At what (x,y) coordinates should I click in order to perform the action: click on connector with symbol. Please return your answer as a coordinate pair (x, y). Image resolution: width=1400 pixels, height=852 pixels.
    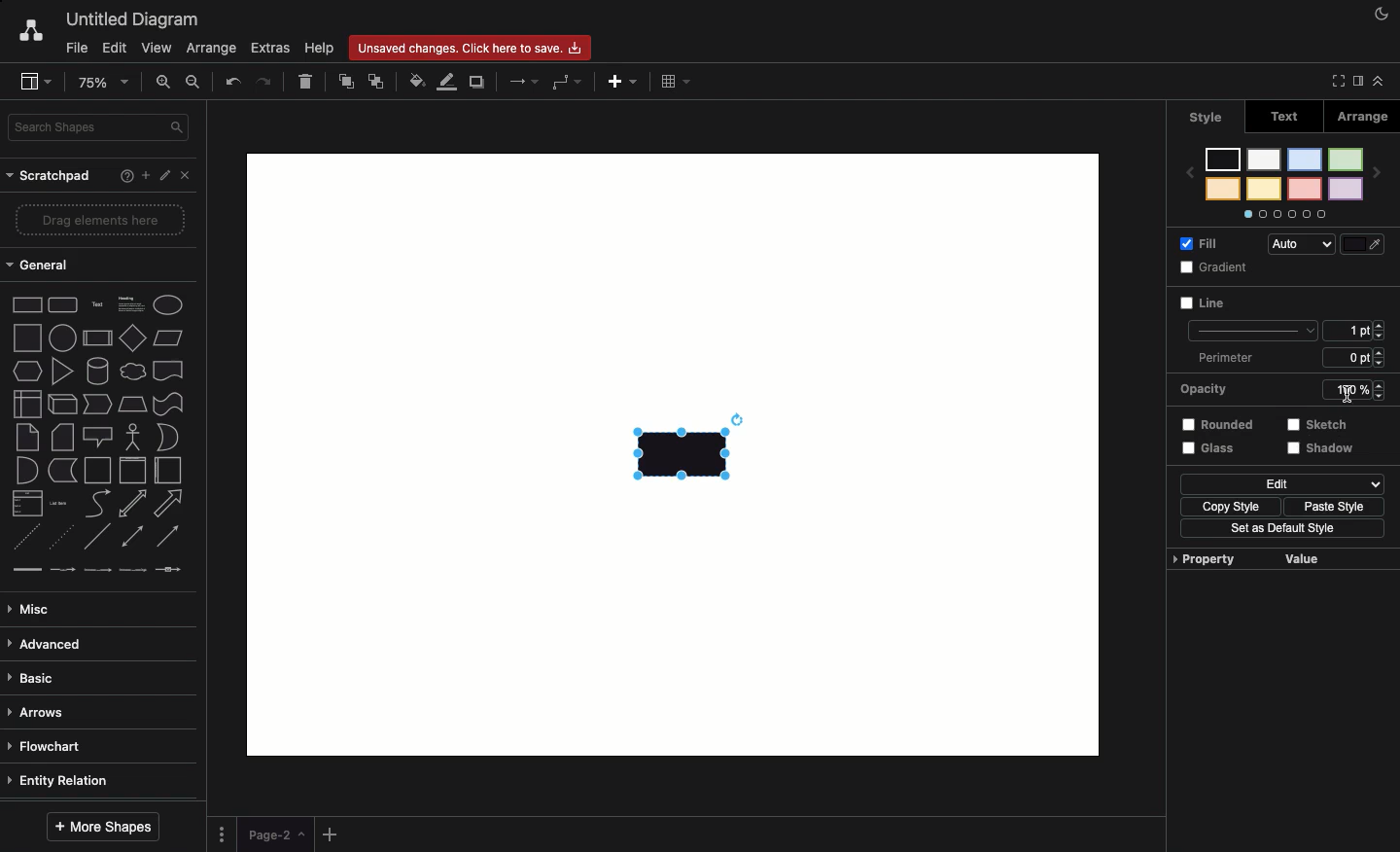
    Looking at the image, I should click on (171, 572).